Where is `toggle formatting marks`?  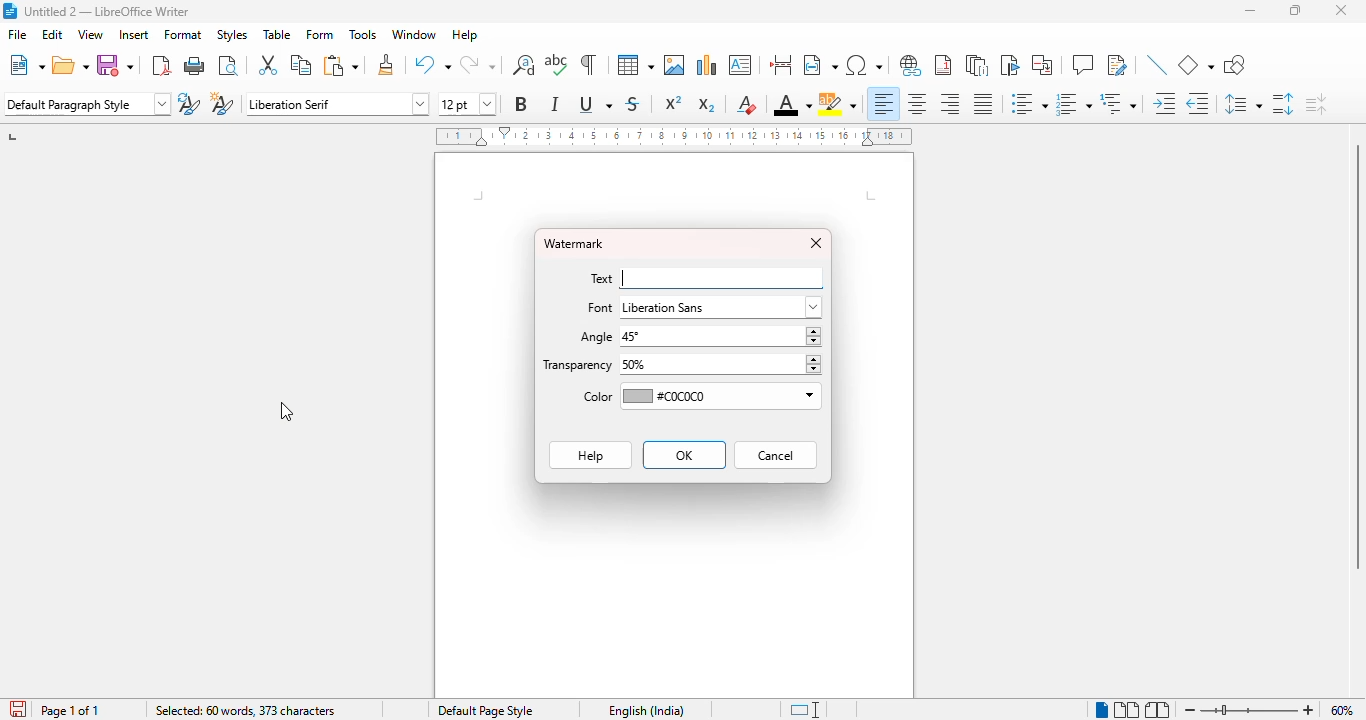 toggle formatting marks is located at coordinates (587, 64).